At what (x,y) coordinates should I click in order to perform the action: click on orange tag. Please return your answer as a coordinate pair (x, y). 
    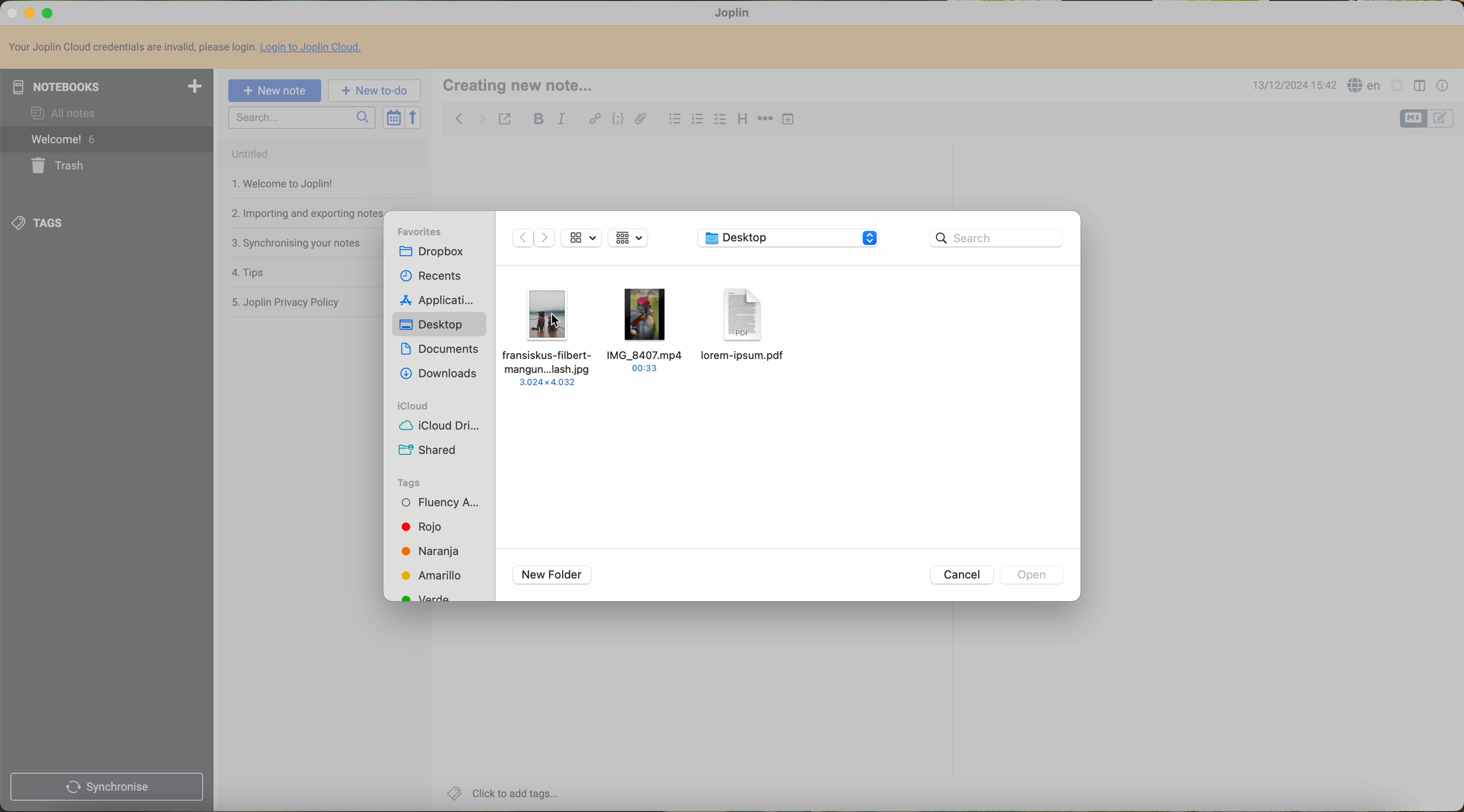
    Looking at the image, I should click on (435, 553).